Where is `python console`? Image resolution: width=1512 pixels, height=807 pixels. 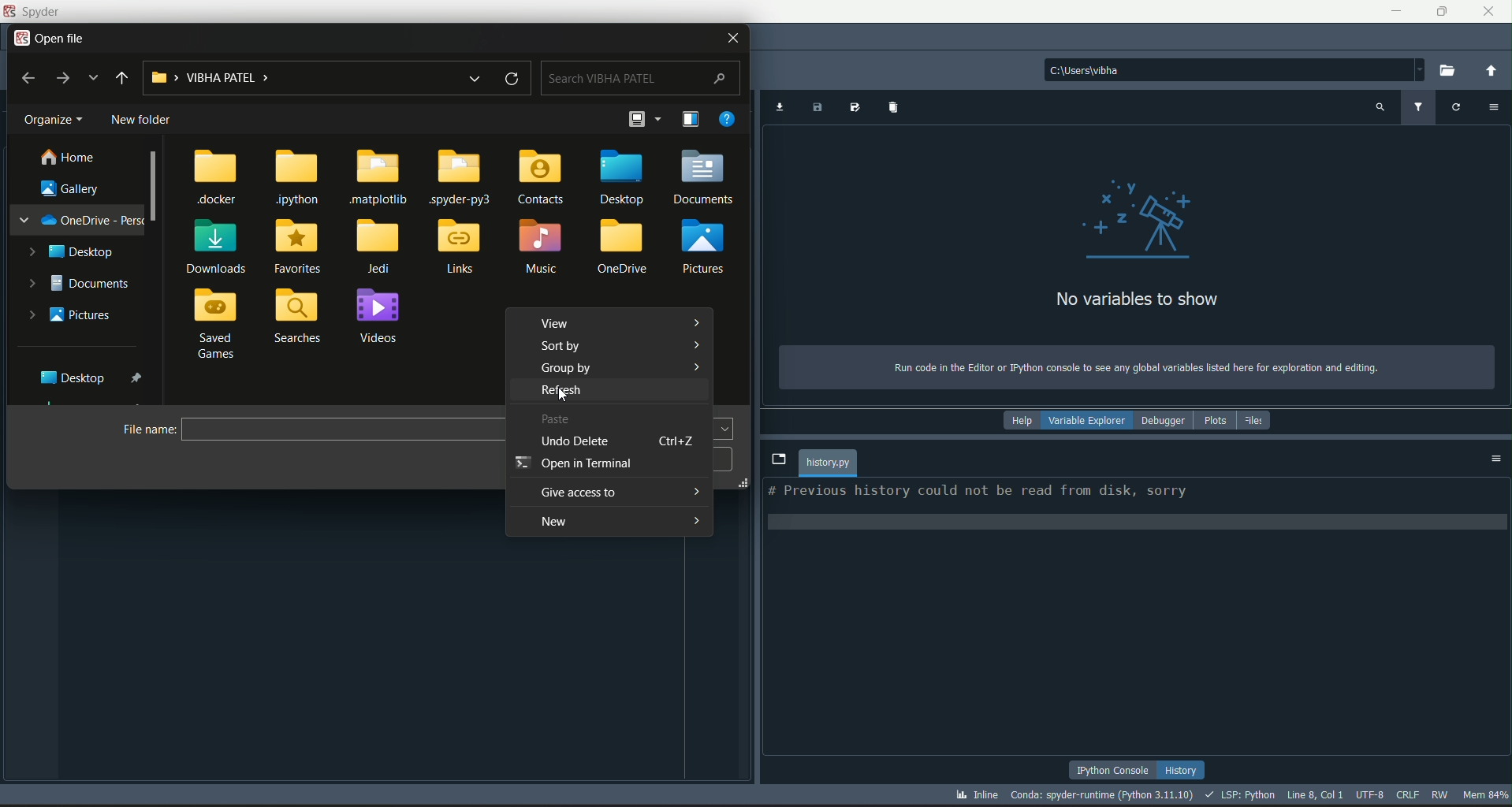
python console is located at coordinates (1115, 769).